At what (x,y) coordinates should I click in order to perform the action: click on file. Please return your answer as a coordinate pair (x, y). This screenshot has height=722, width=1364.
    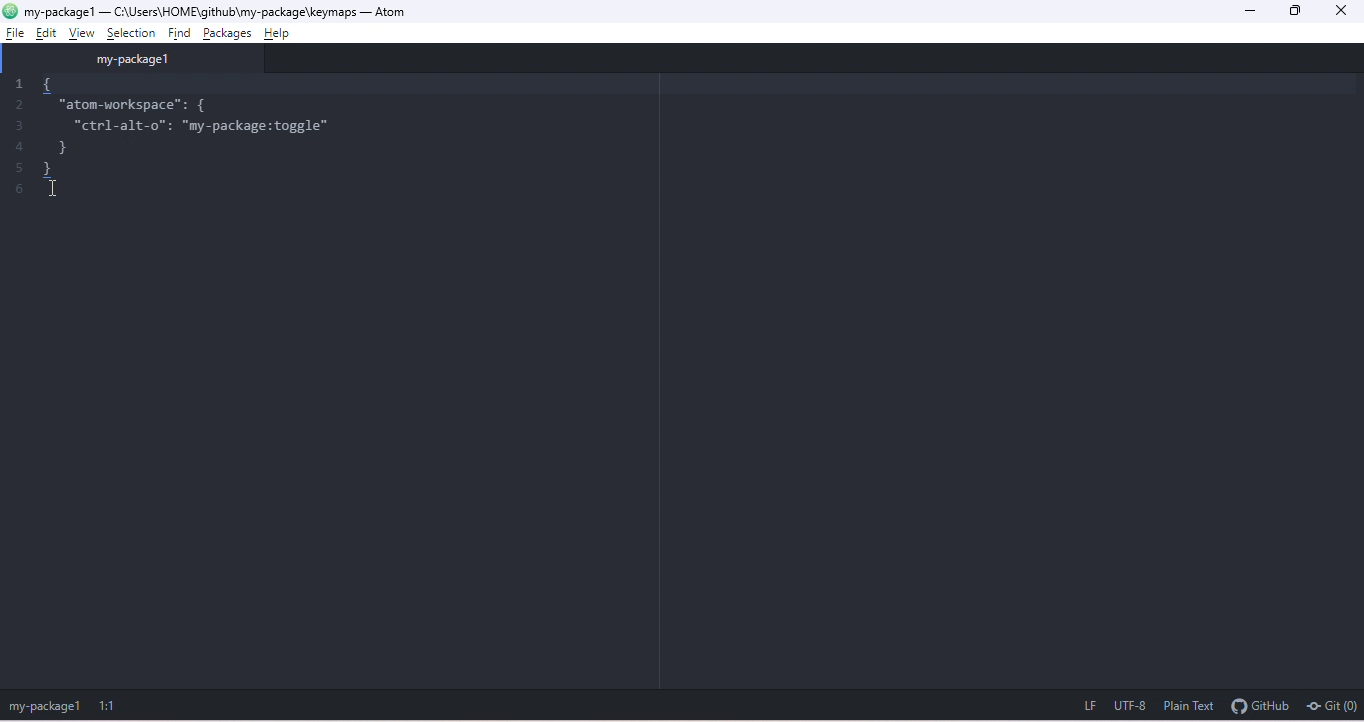
    Looking at the image, I should click on (16, 35).